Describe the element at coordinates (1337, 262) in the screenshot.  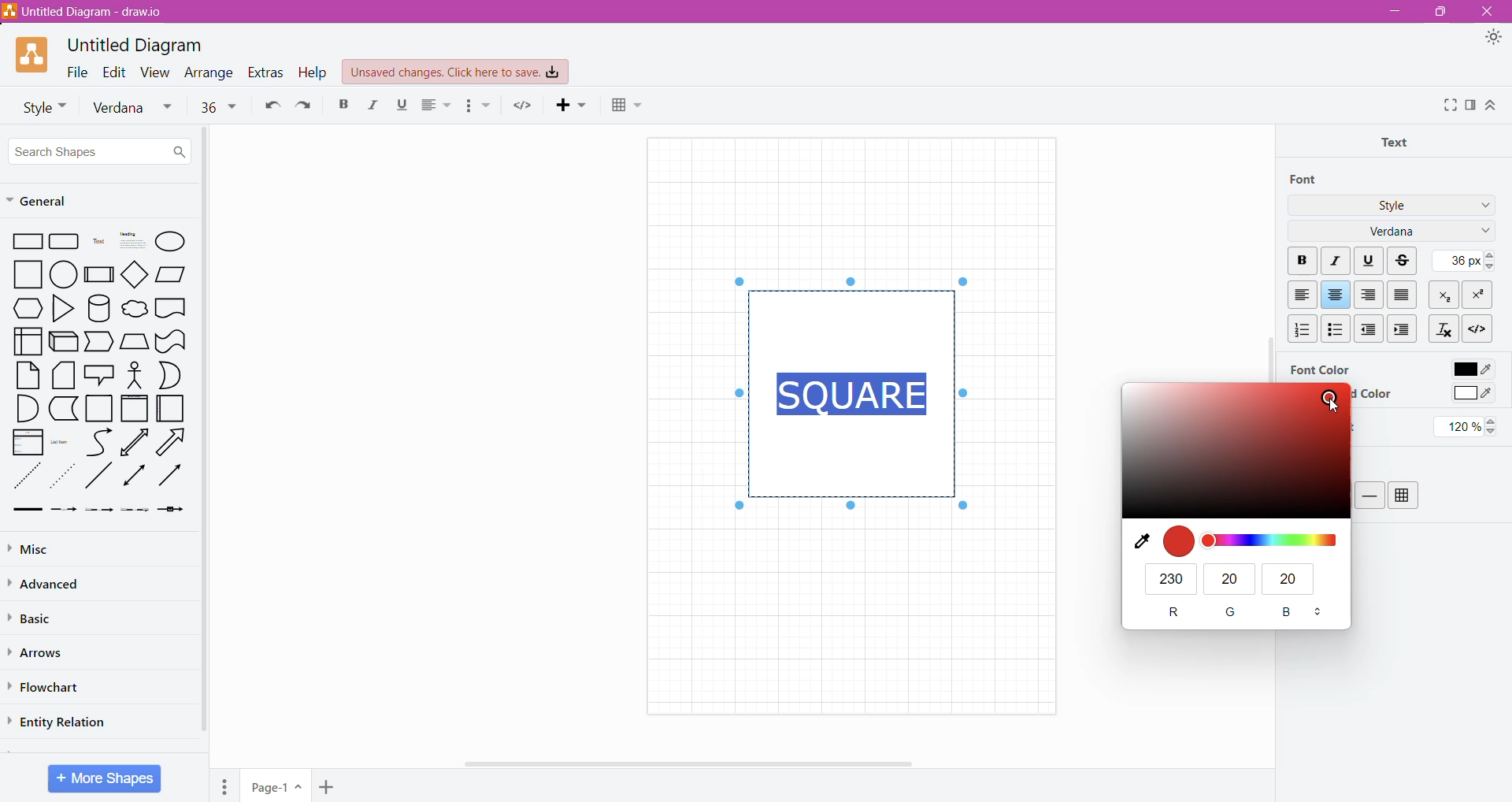
I see `Italic` at that location.